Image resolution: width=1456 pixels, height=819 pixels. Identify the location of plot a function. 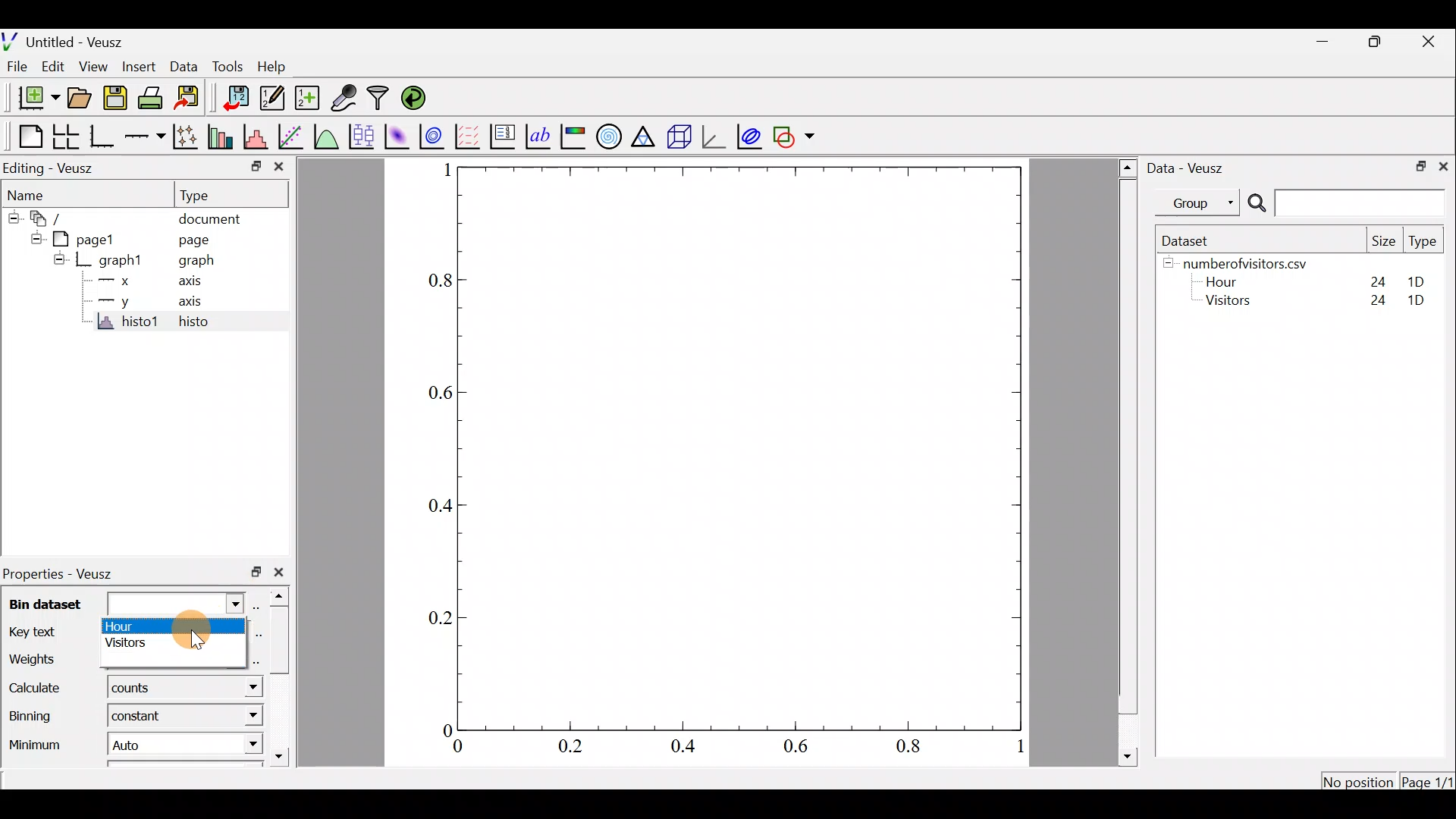
(328, 136).